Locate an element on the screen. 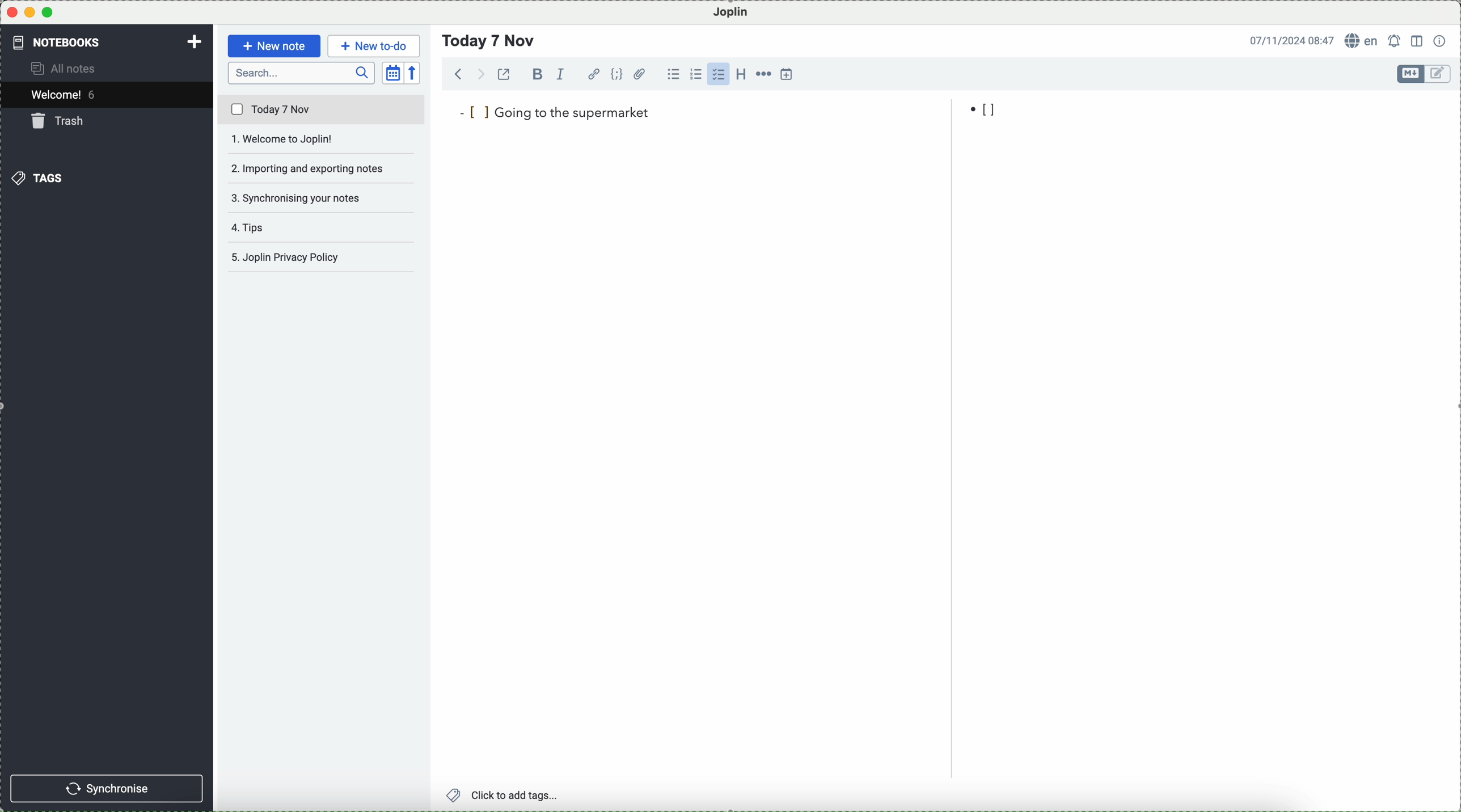 The width and height of the screenshot is (1461, 812). today 7 nov is located at coordinates (322, 110).